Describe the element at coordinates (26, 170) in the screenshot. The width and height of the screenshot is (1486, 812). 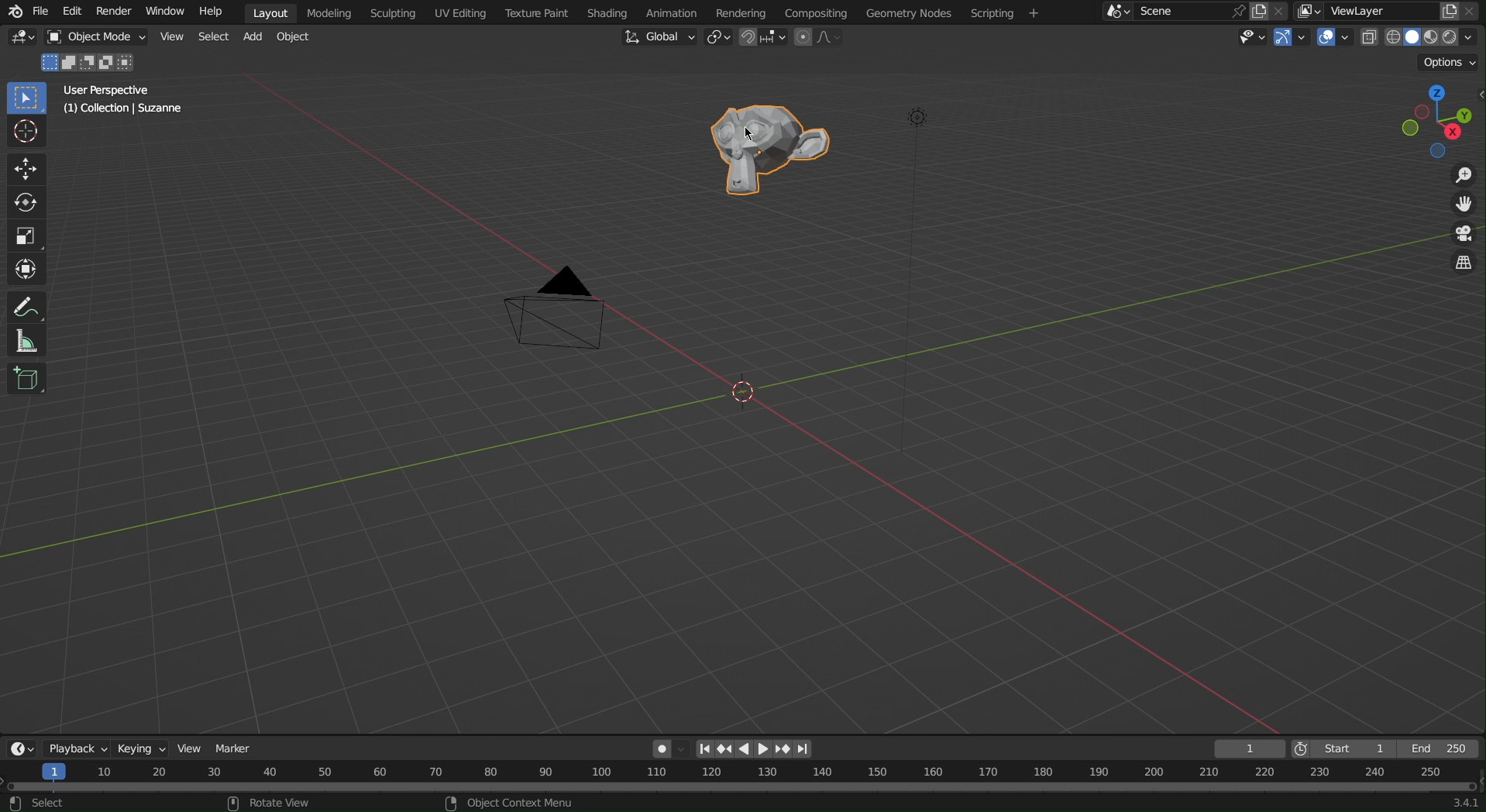
I see `Move` at that location.